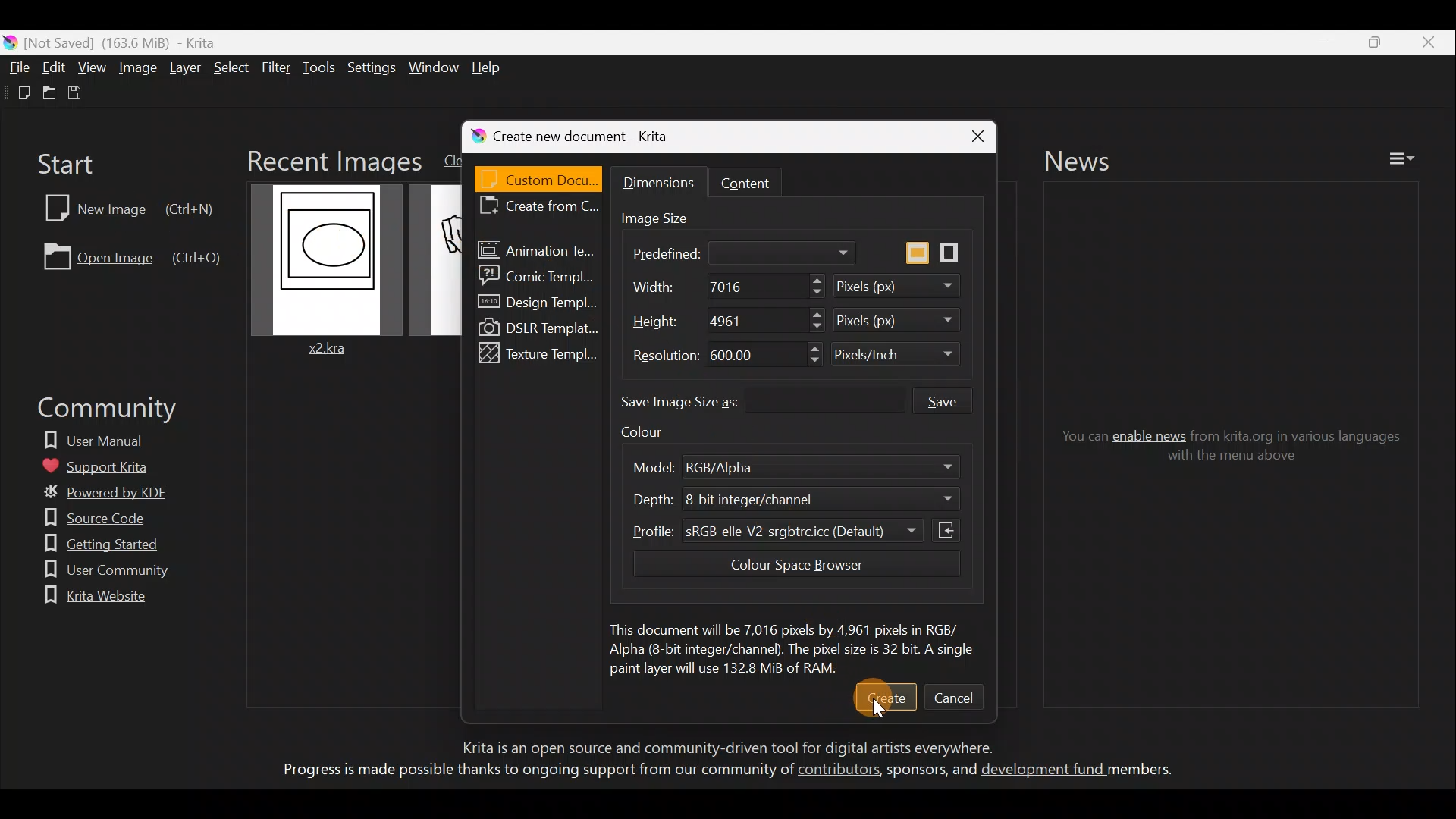 The width and height of the screenshot is (1456, 819). What do you see at coordinates (602, 133) in the screenshot?
I see `Create new document - Krita` at bounding box center [602, 133].